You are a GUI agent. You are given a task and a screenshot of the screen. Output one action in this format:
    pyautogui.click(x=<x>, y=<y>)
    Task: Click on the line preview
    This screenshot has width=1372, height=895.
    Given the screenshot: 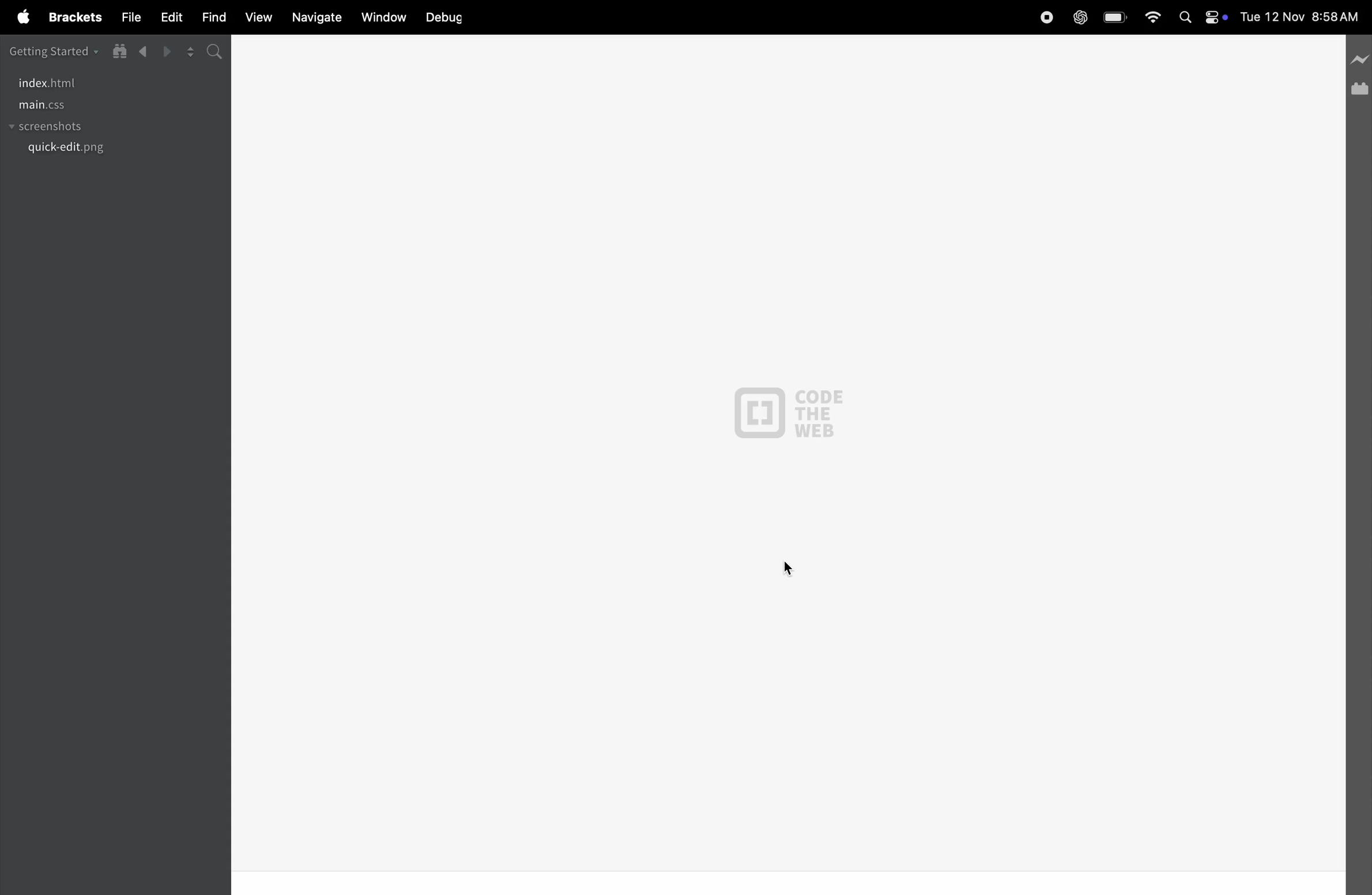 What is the action you would take?
    pyautogui.click(x=1358, y=58)
    